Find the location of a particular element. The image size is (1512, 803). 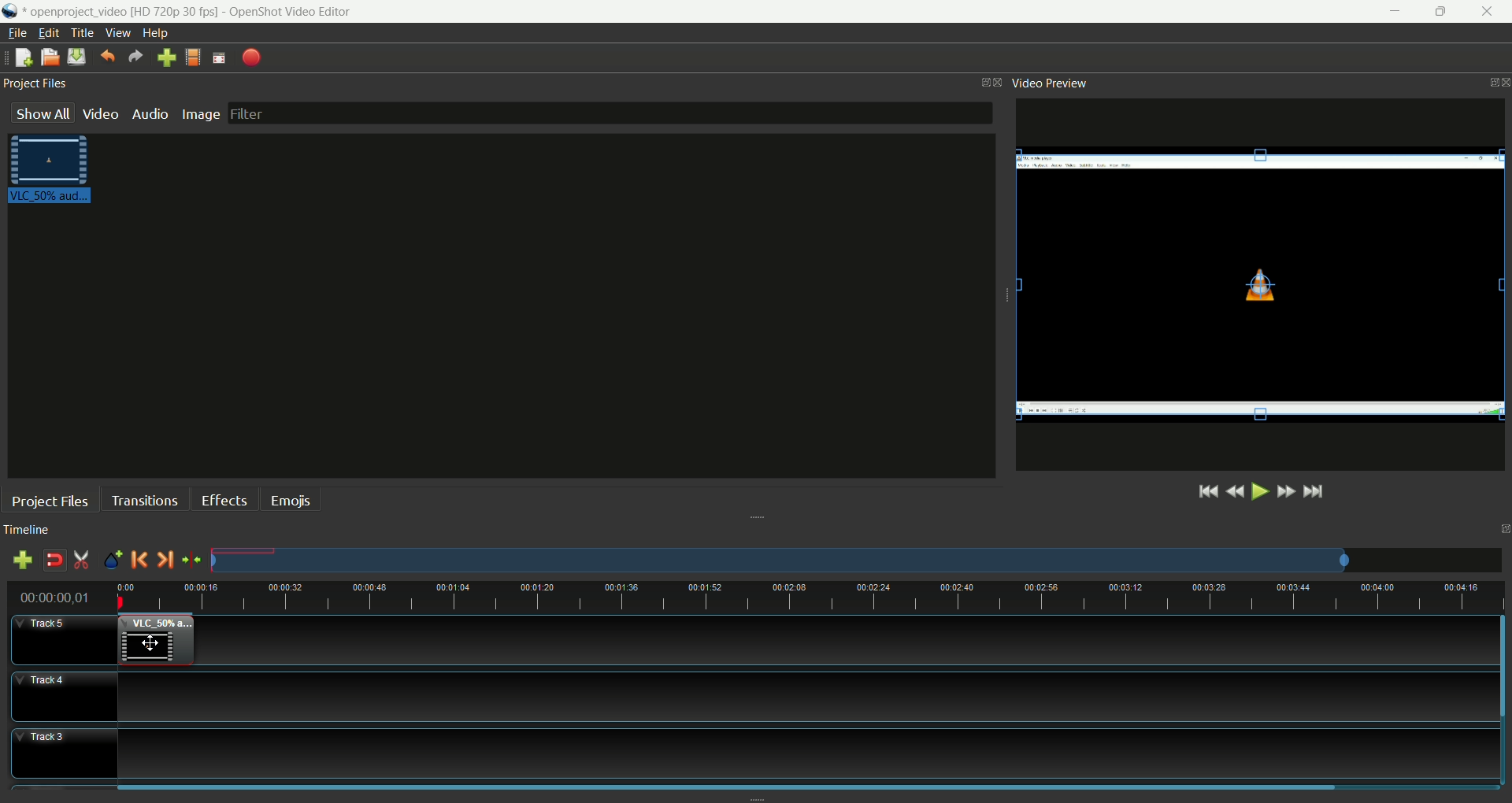

project files is located at coordinates (37, 87).